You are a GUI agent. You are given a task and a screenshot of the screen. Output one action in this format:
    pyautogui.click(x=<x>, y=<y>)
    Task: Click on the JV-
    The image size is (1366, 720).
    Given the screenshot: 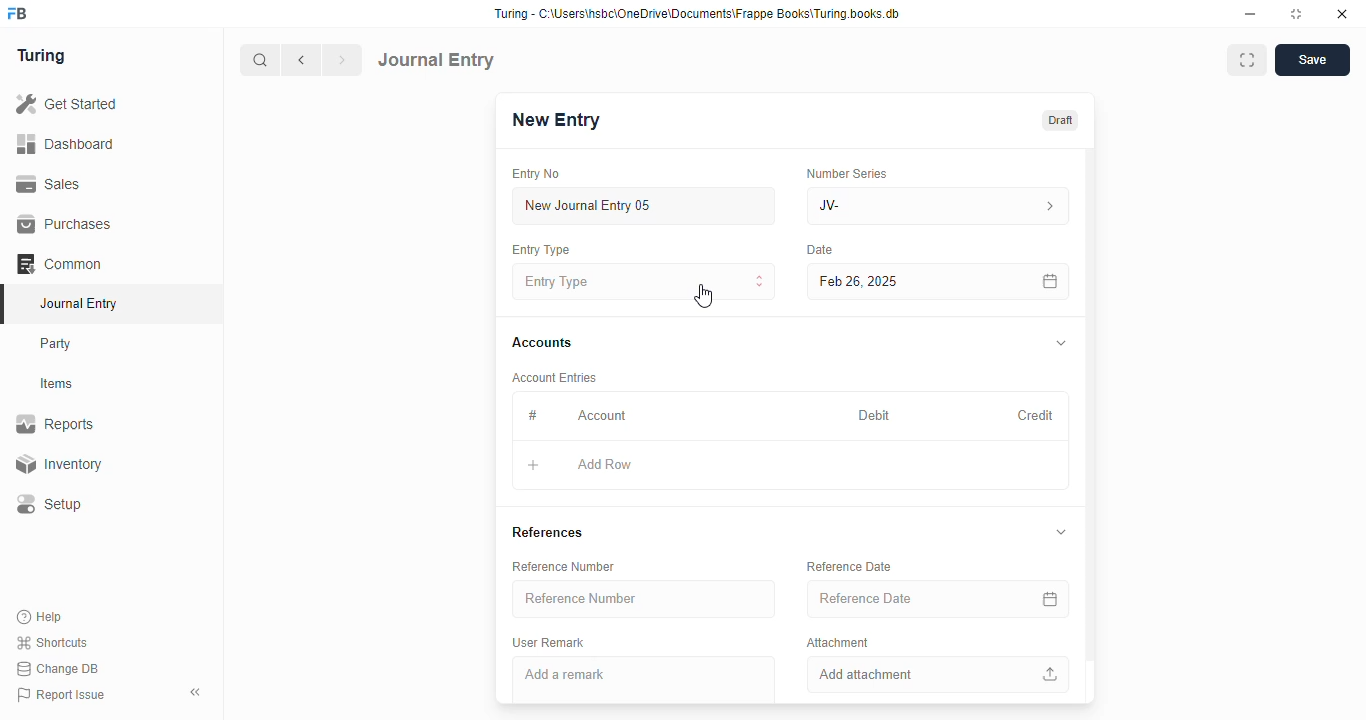 What is the action you would take?
    pyautogui.click(x=939, y=206)
    